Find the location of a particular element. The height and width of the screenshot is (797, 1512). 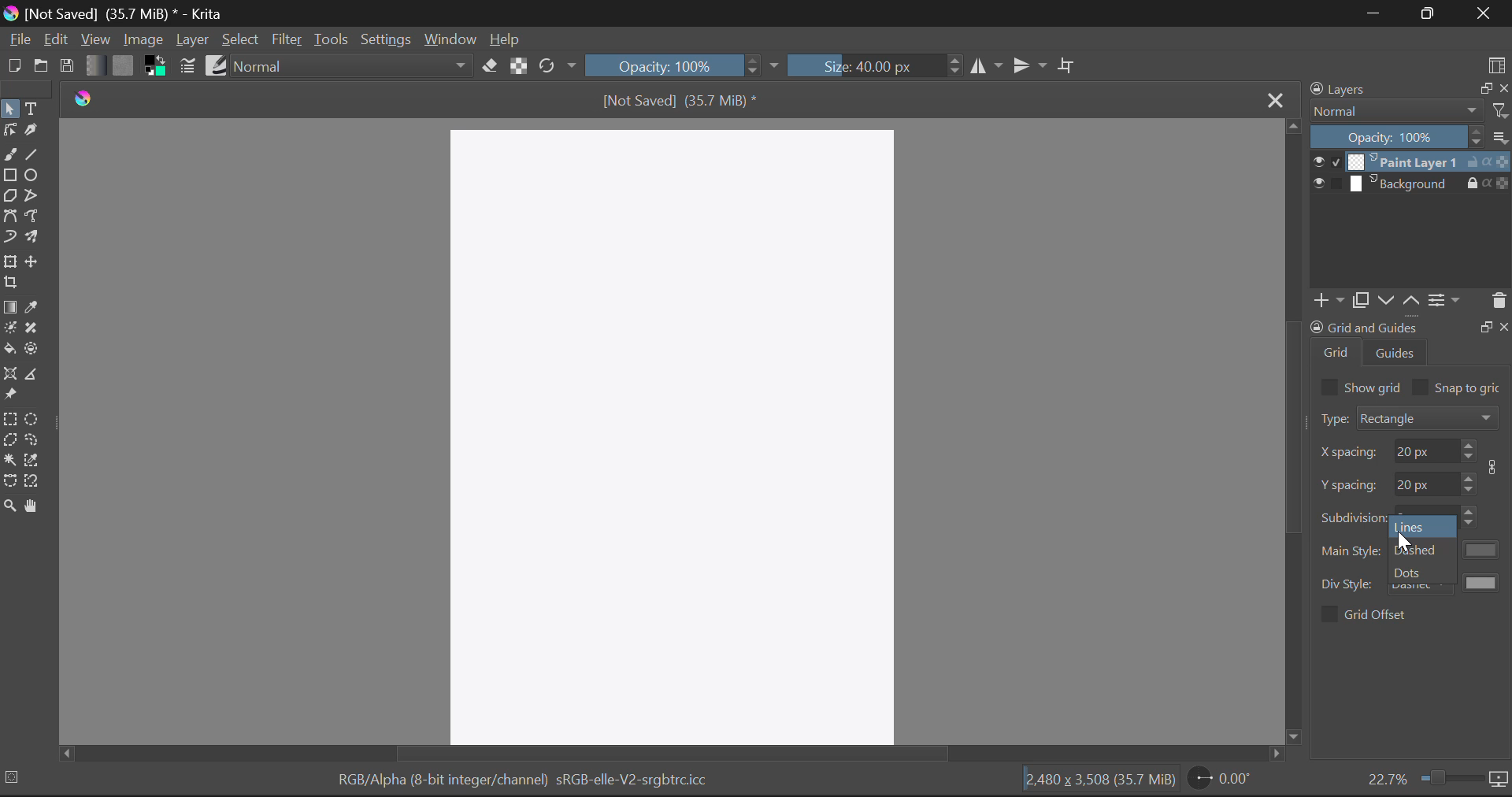

selection is located at coordinates (15, 777).